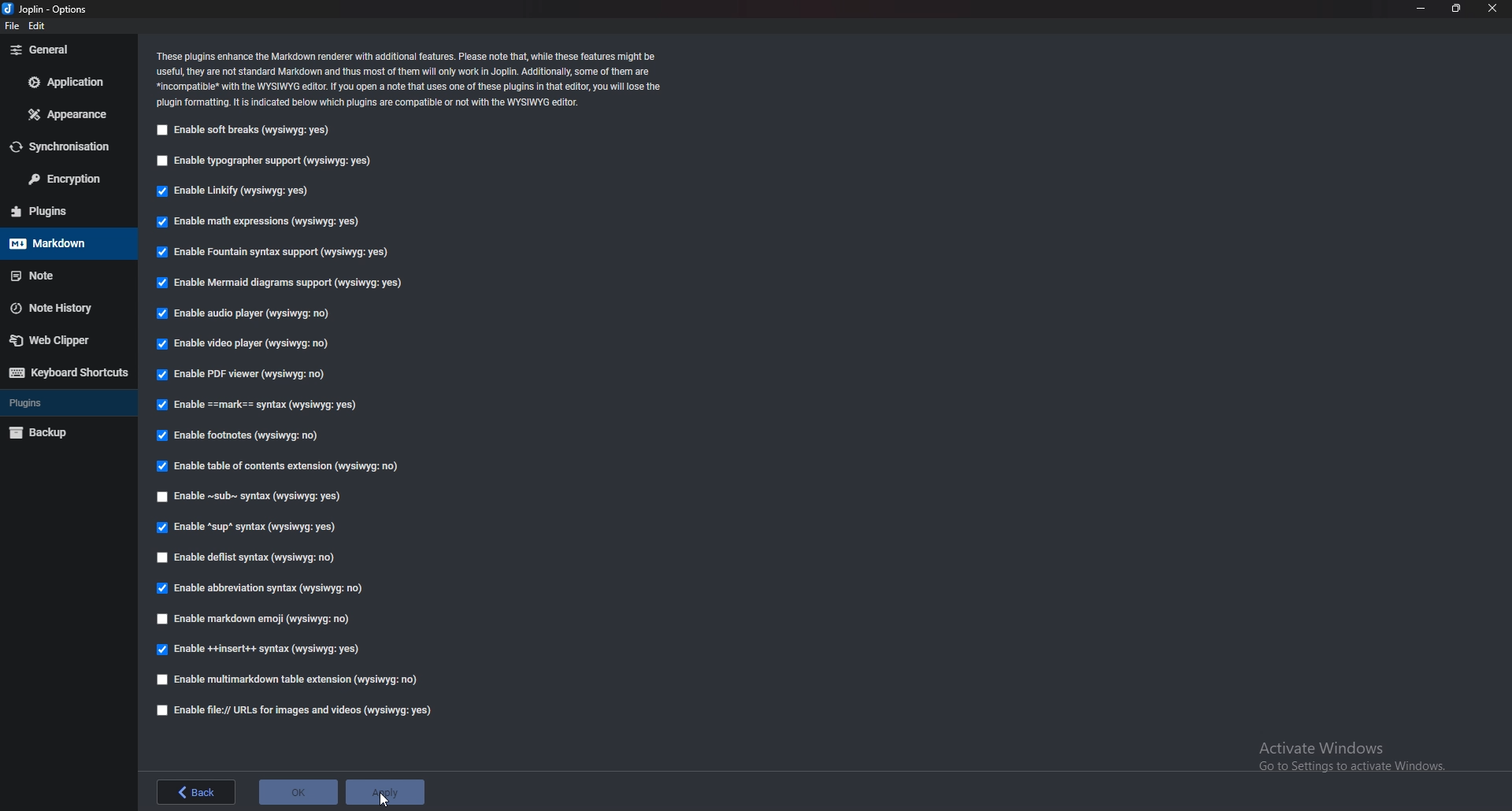 Image resolution: width=1512 pixels, height=811 pixels. Describe the element at coordinates (260, 650) in the screenshot. I see `enable insert syntax` at that location.